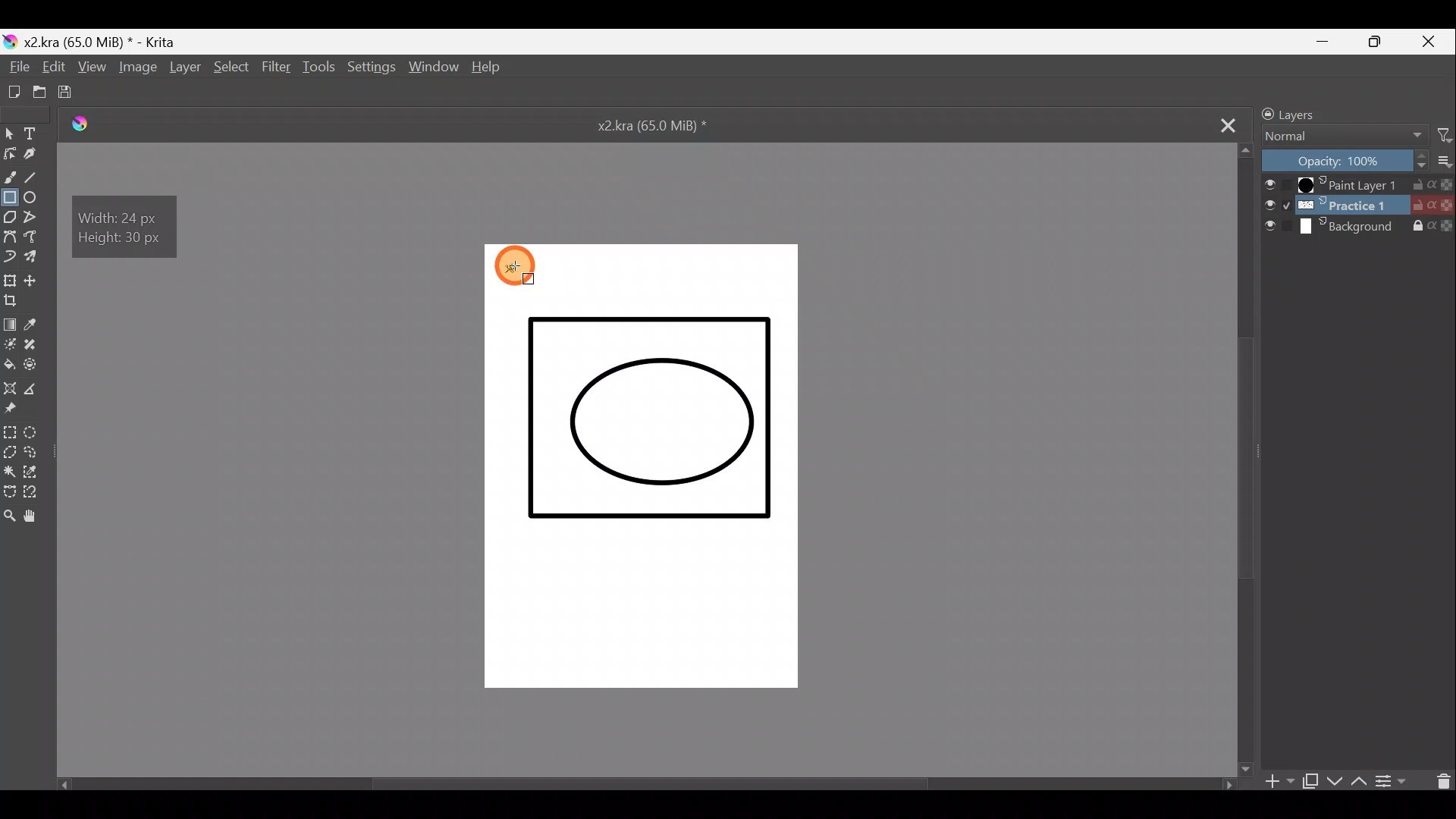 This screenshot has height=819, width=1456. I want to click on Height: 30 px, so click(121, 241).